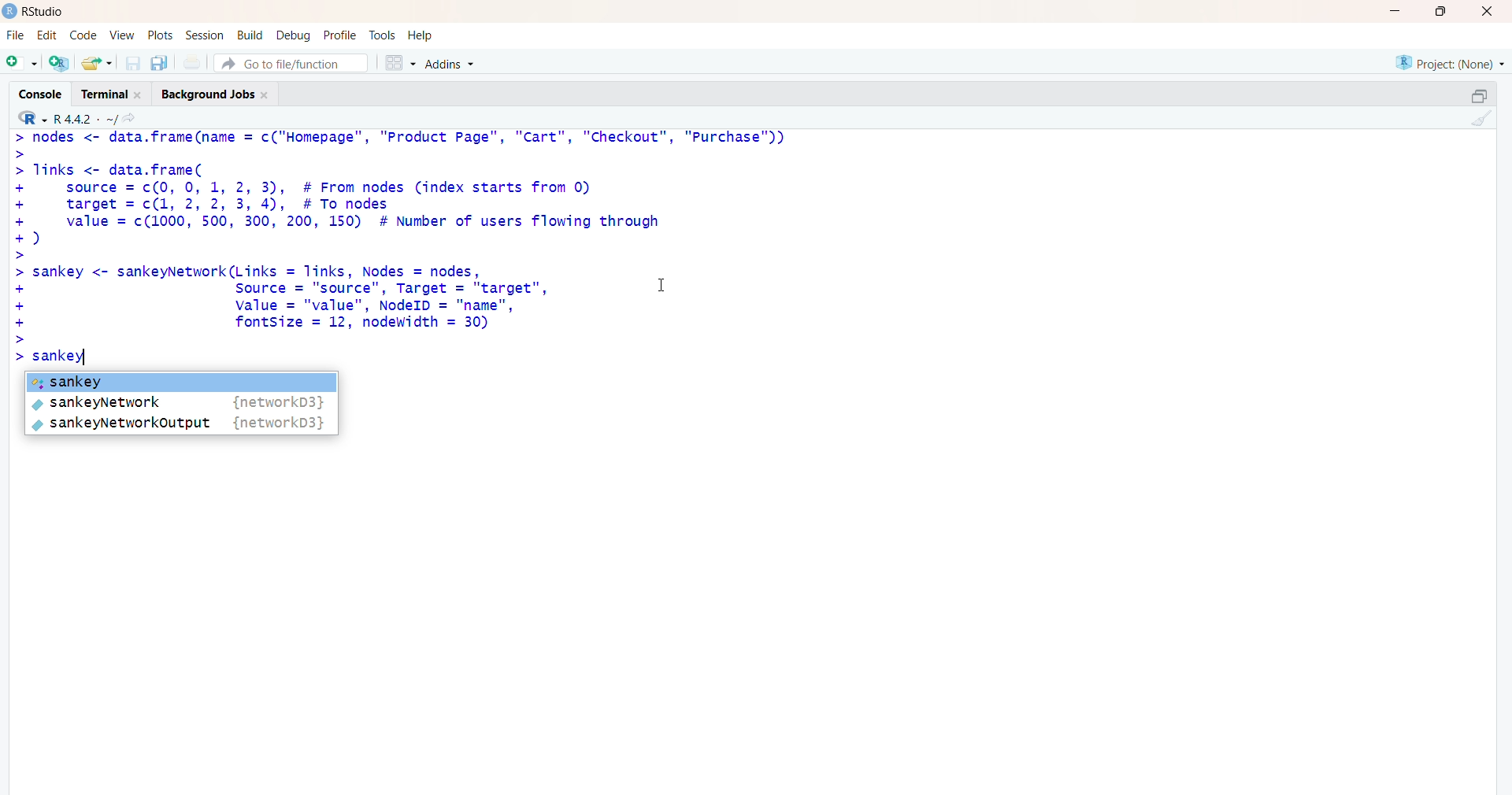 This screenshot has height=795, width=1512. Describe the element at coordinates (60, 65) in the screenshot. I see `add file` at that location.